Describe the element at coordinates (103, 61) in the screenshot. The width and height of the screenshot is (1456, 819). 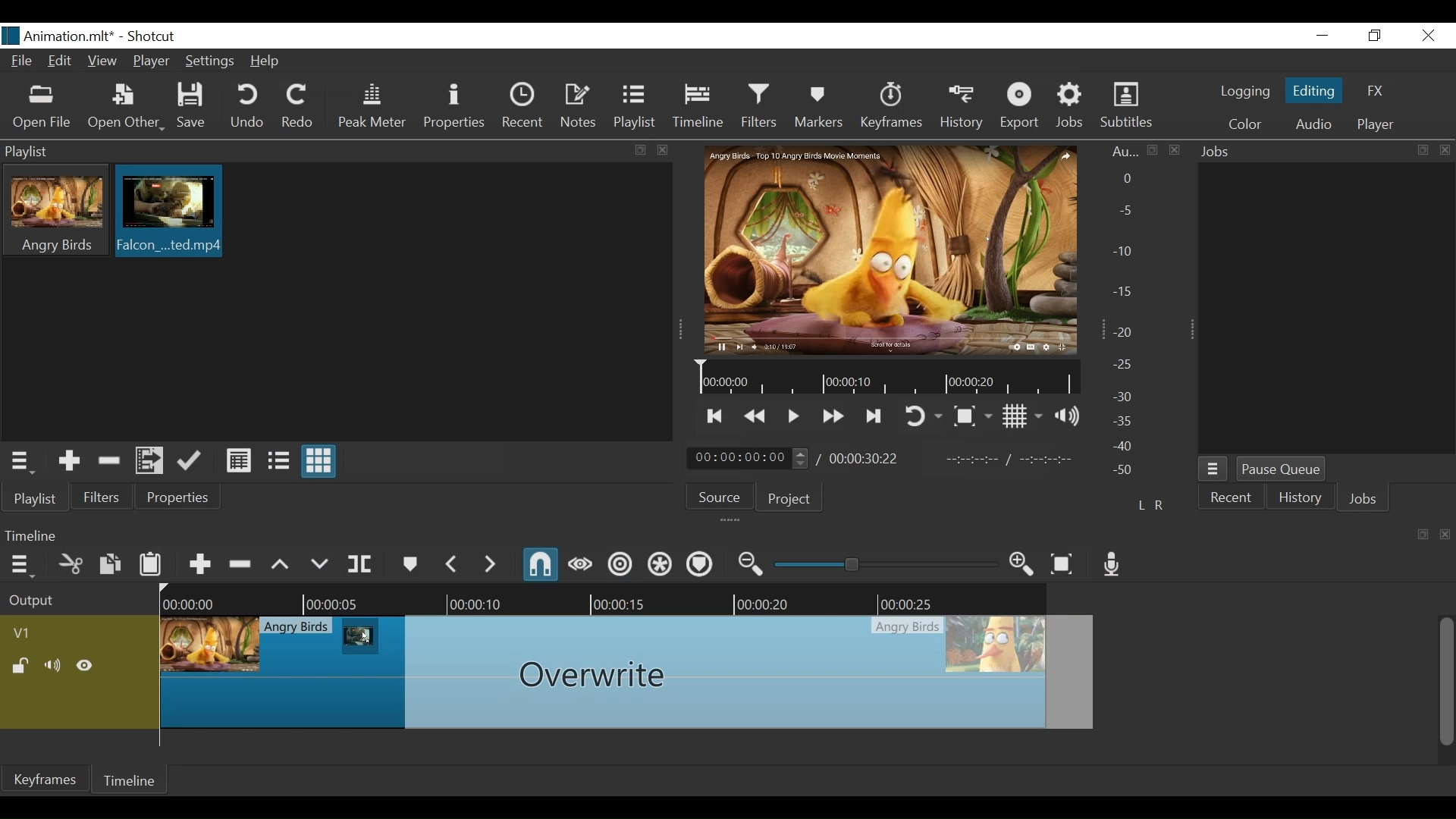
I see `View` at that location.